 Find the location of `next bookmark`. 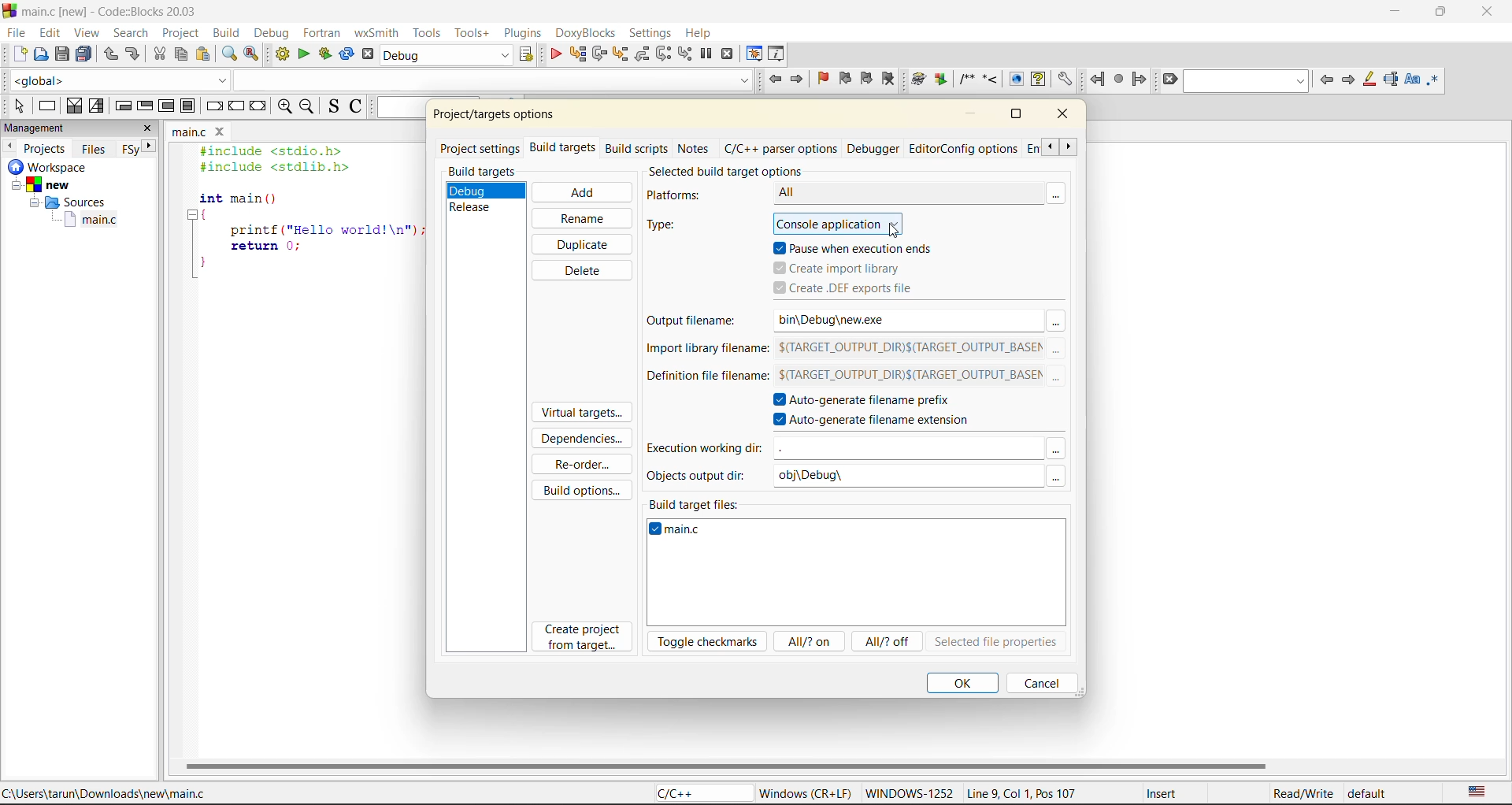

next bookmark is located at coordinates (869, 80).